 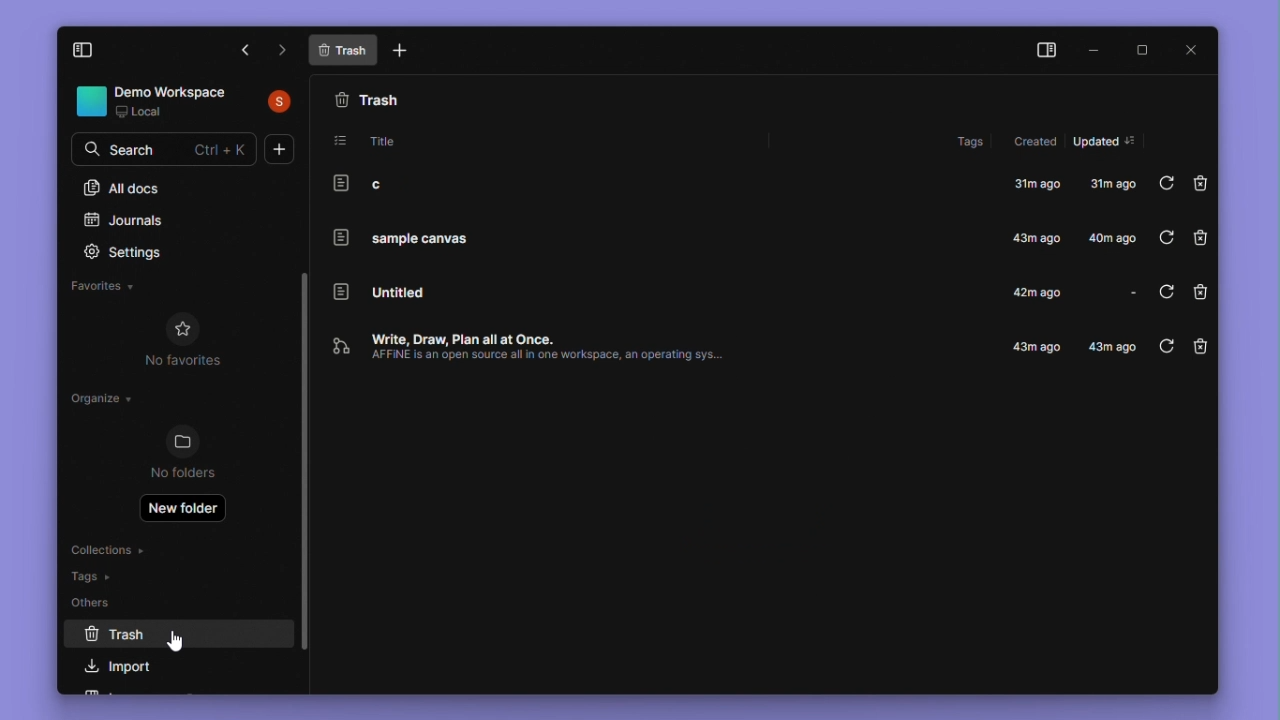 What do you see at coordinates (285, 50) in the screenshot?
I see `next tabn=` at bounding box center [285, 50].